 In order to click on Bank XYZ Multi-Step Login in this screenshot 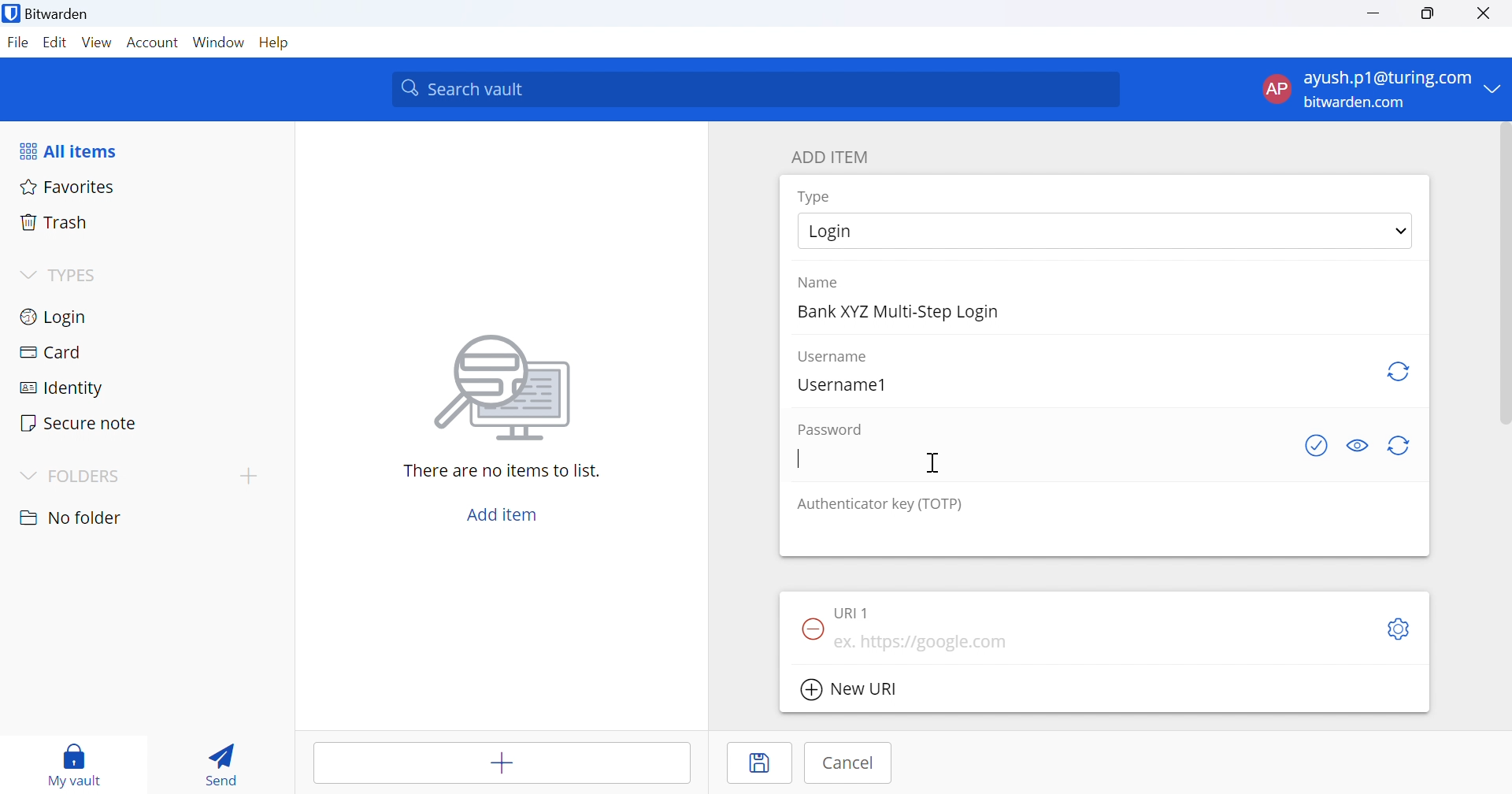, I will do `click(900, 313)`.